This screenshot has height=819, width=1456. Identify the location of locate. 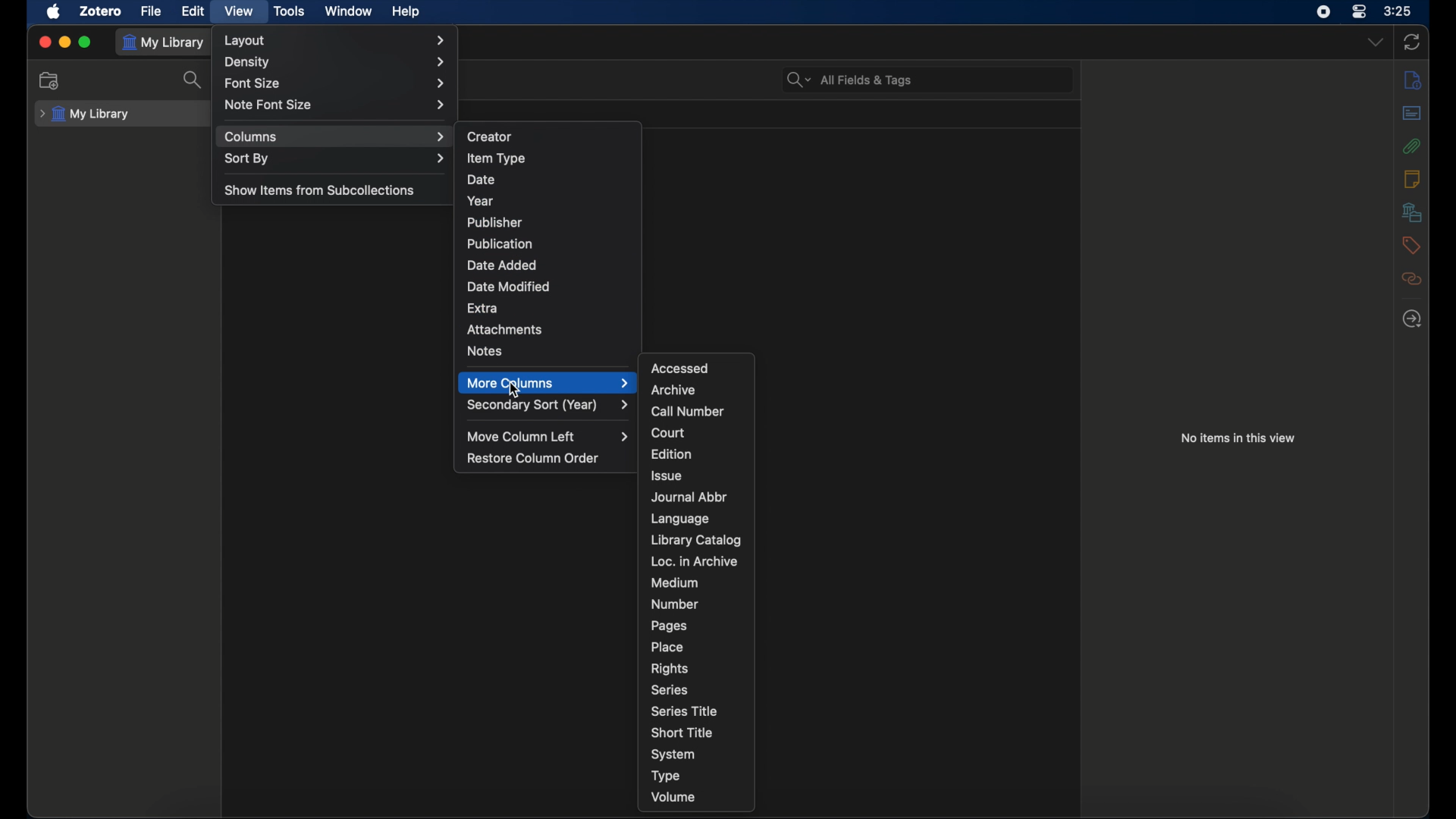
(1410, 319).